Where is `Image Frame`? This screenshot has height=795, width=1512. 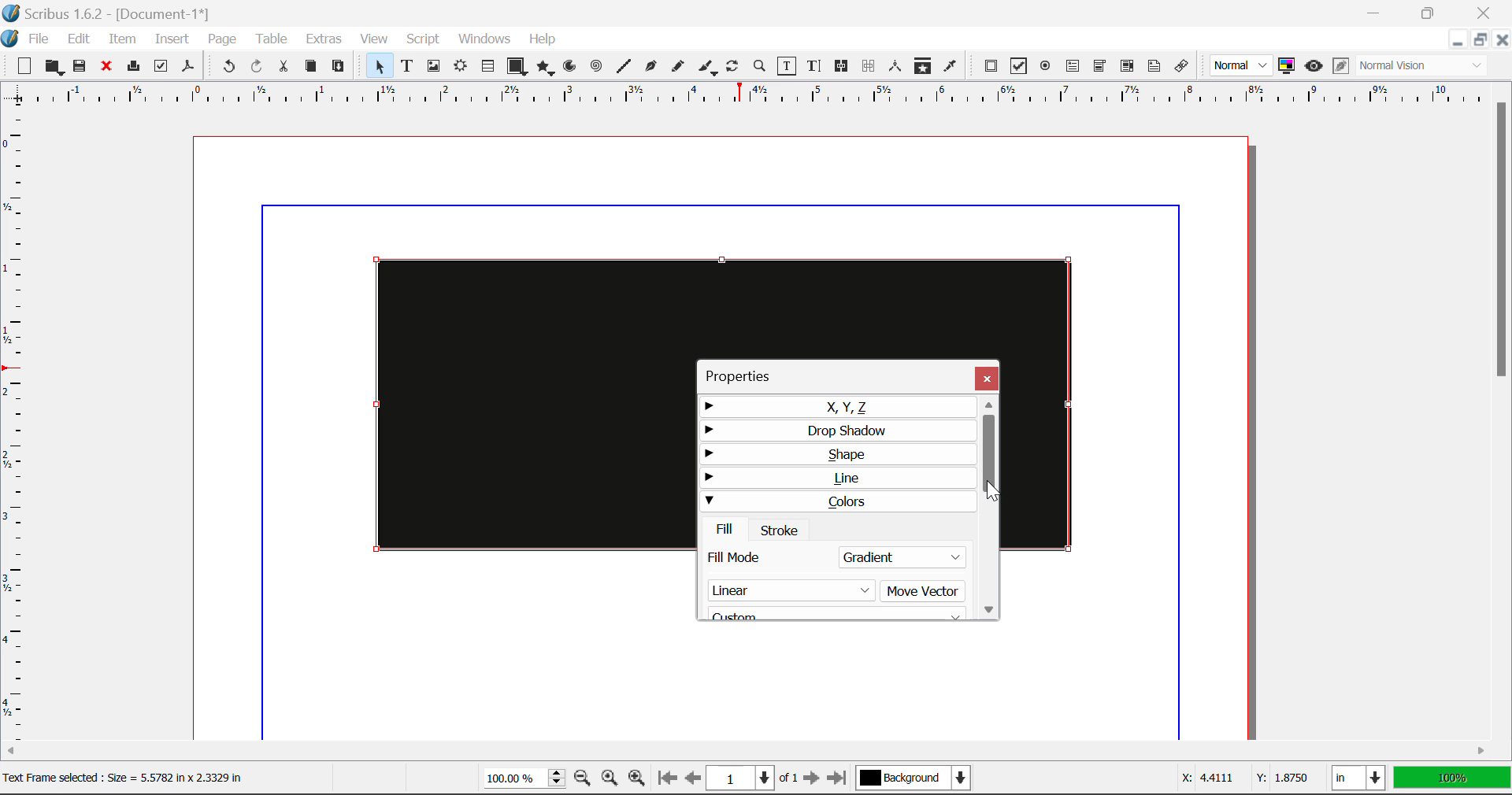
Image Frame is located at coordinates (433, 68).